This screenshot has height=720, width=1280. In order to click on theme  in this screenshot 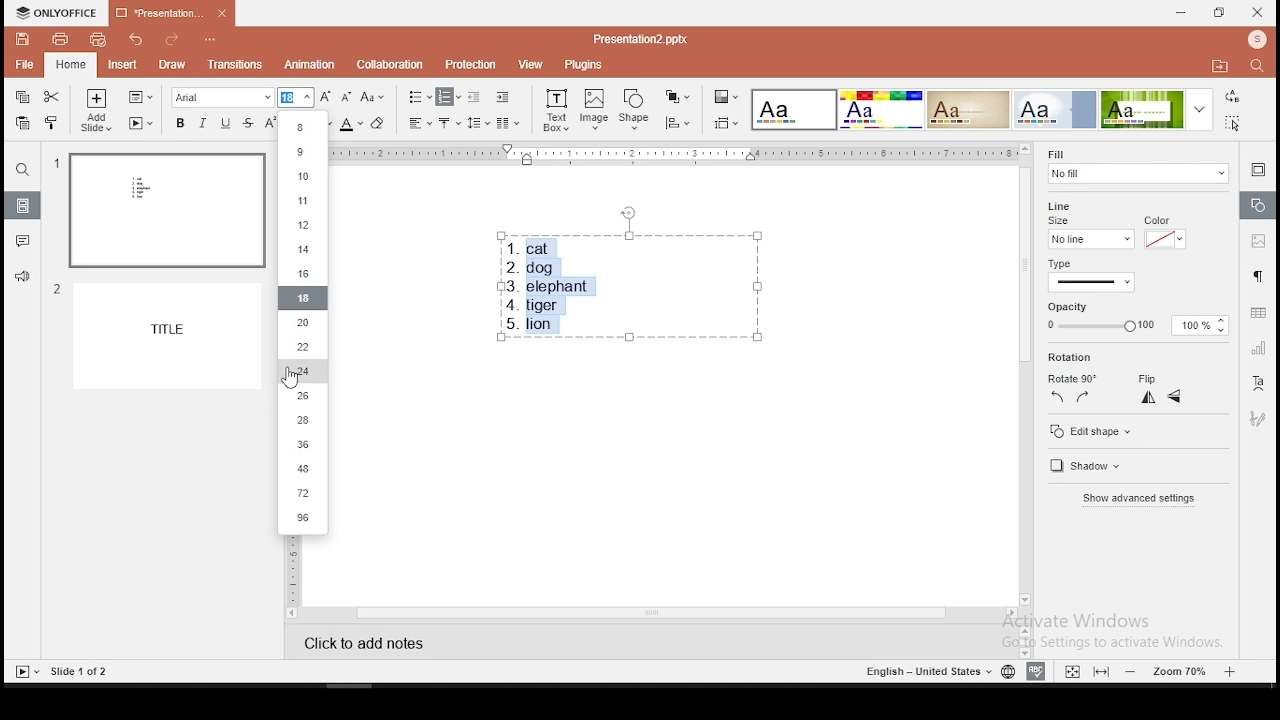, I will do `click(795, 110)`.